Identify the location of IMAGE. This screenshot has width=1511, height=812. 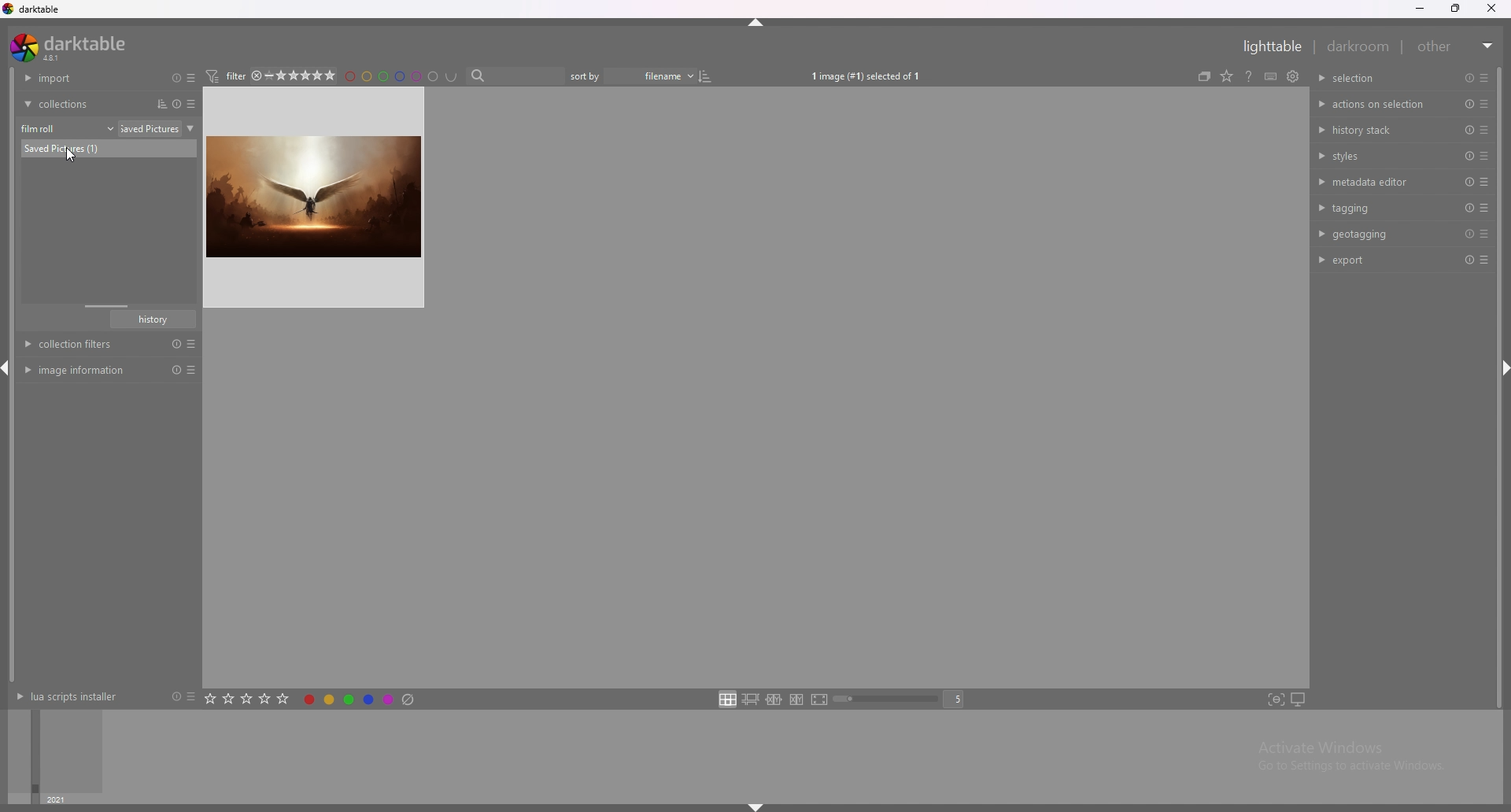
(318, 197).